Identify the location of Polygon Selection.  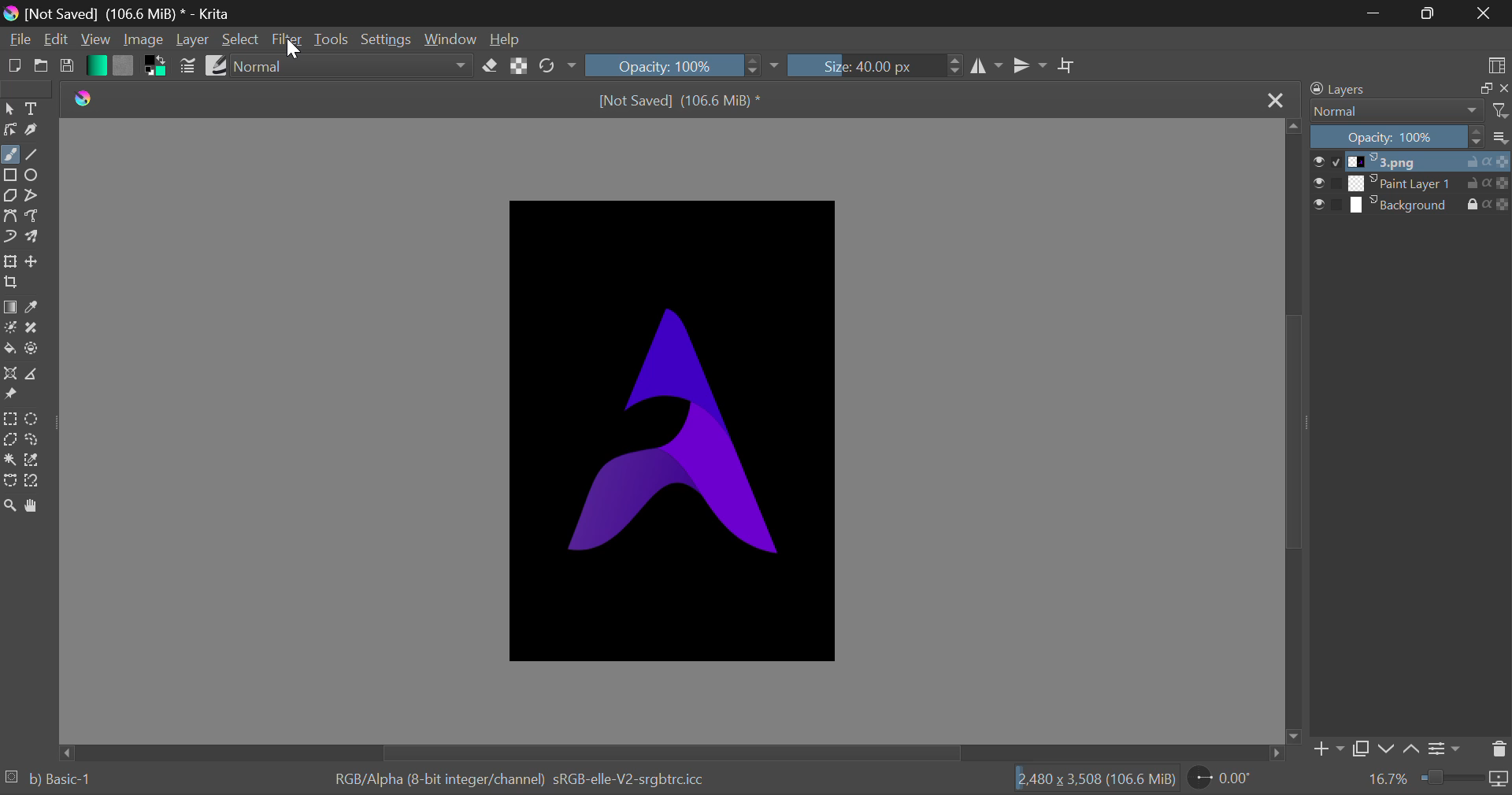
(10, 441).